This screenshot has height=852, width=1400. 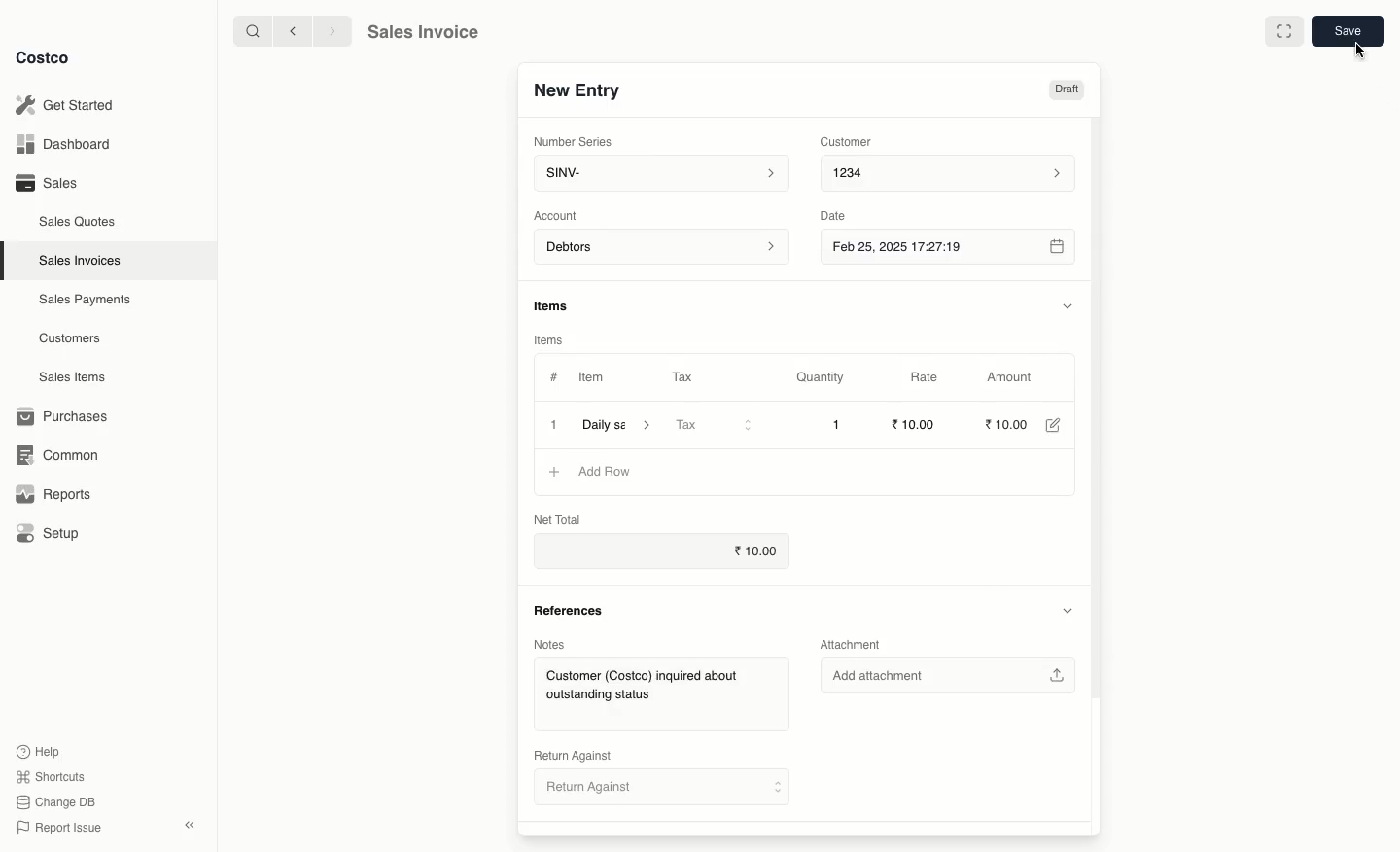 What do you see at coordinates (68, 337) in the screenshot?
I see `Customers` at bounding box center [68, 337].